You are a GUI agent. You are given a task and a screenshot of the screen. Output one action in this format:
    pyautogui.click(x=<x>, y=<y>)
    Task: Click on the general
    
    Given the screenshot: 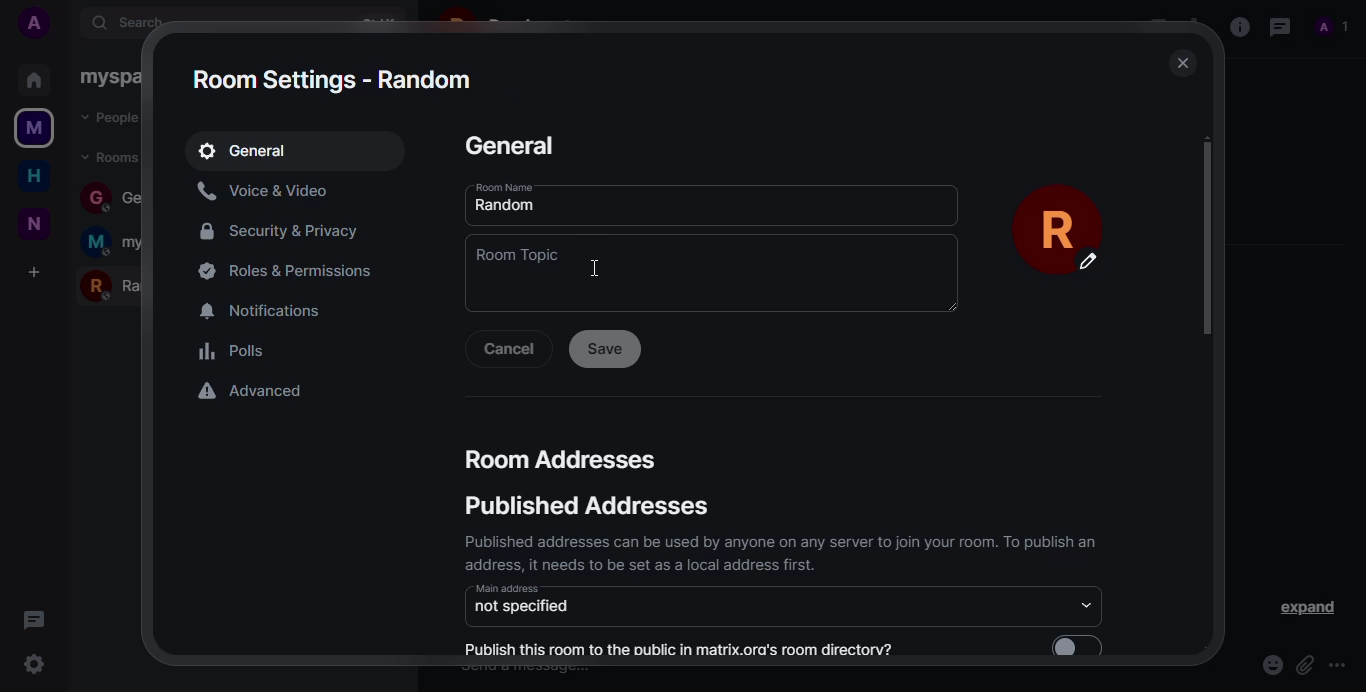 What is the action you would take?
    pyautogui.click(x=254, y=151)
    